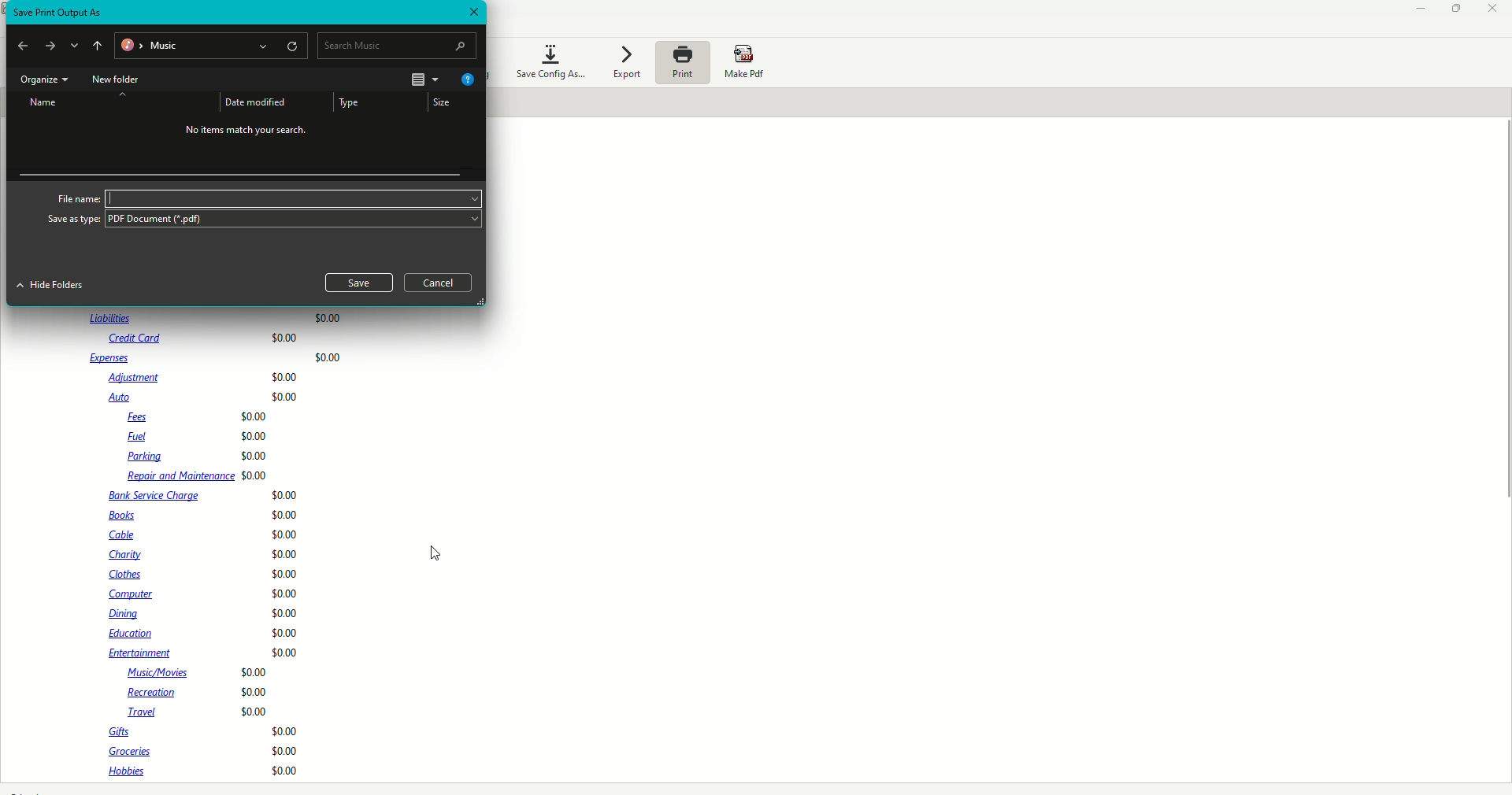 This screenshot has width=1512, height=795. What do you see at coordinates (398, 45) in the screenshot?
I see `Search Bar` at bounding box center [398, 45].